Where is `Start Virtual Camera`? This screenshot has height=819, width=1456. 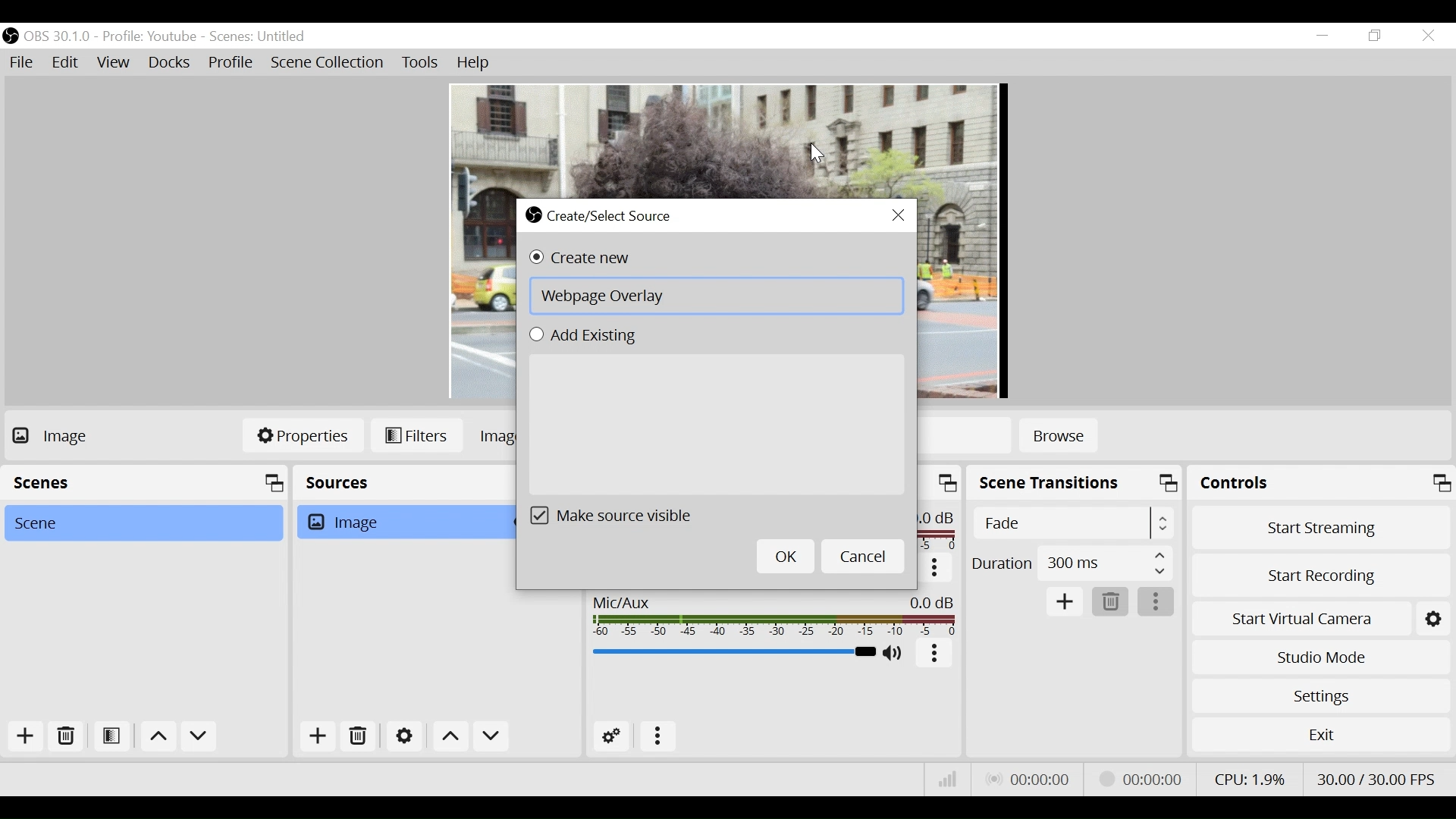 Start Virtual Camera is located at coordinates (1300, 620).